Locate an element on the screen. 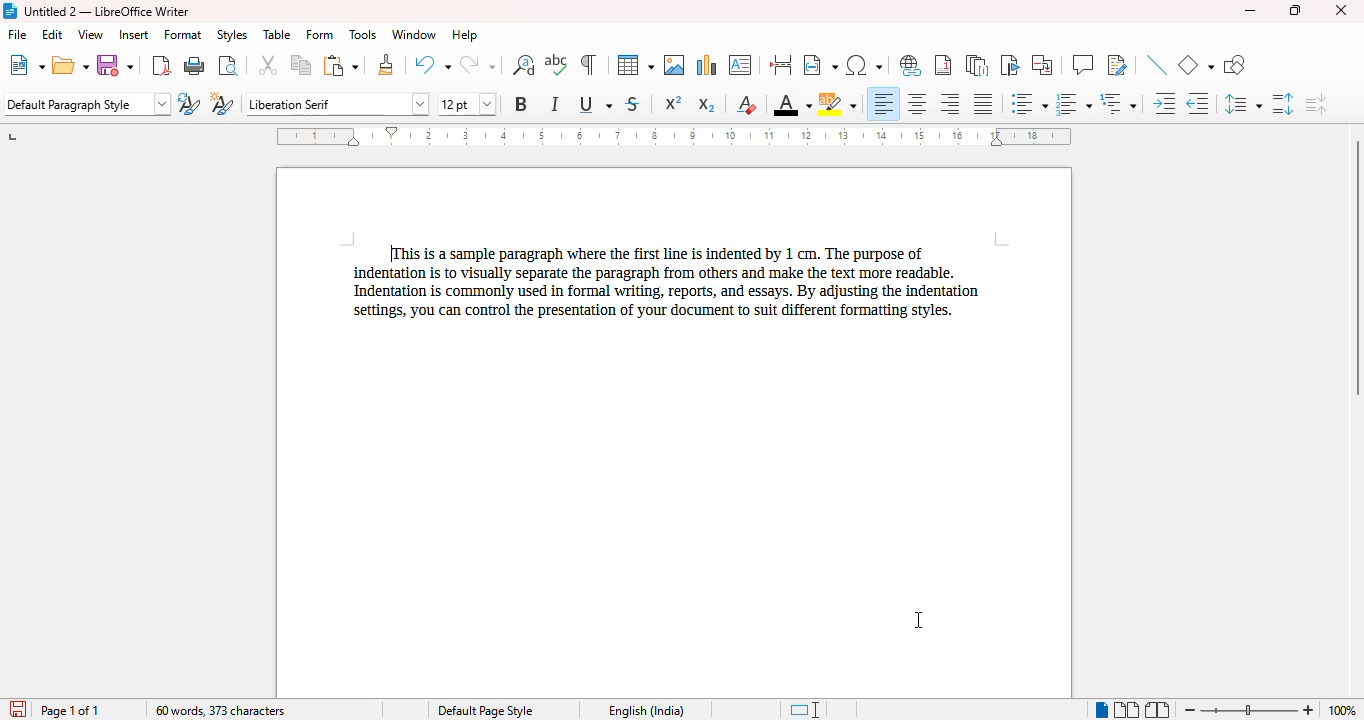  single-page view is located at coordinates (1101, 710).